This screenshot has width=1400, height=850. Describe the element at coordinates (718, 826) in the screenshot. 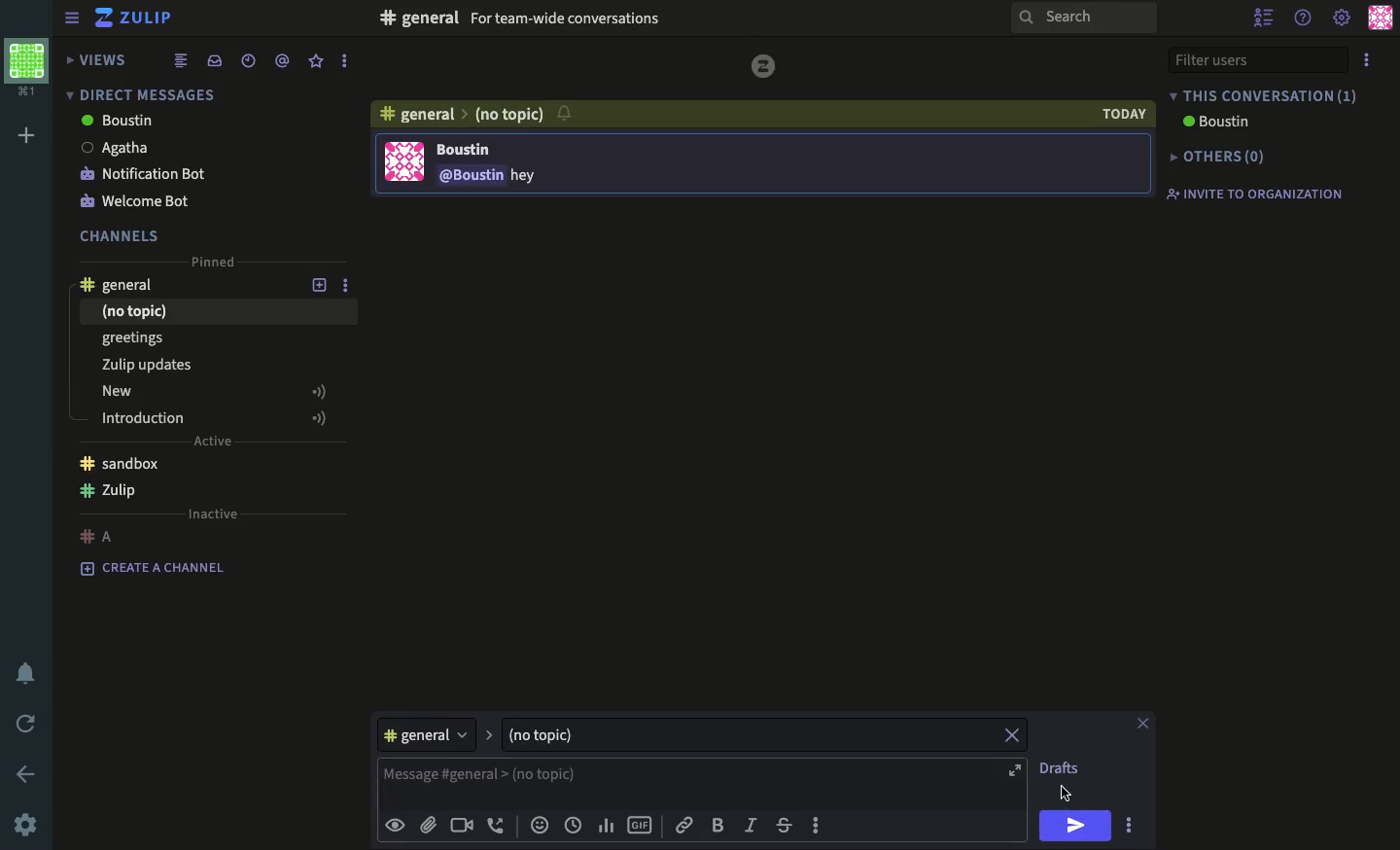

I see `bold` at that location.